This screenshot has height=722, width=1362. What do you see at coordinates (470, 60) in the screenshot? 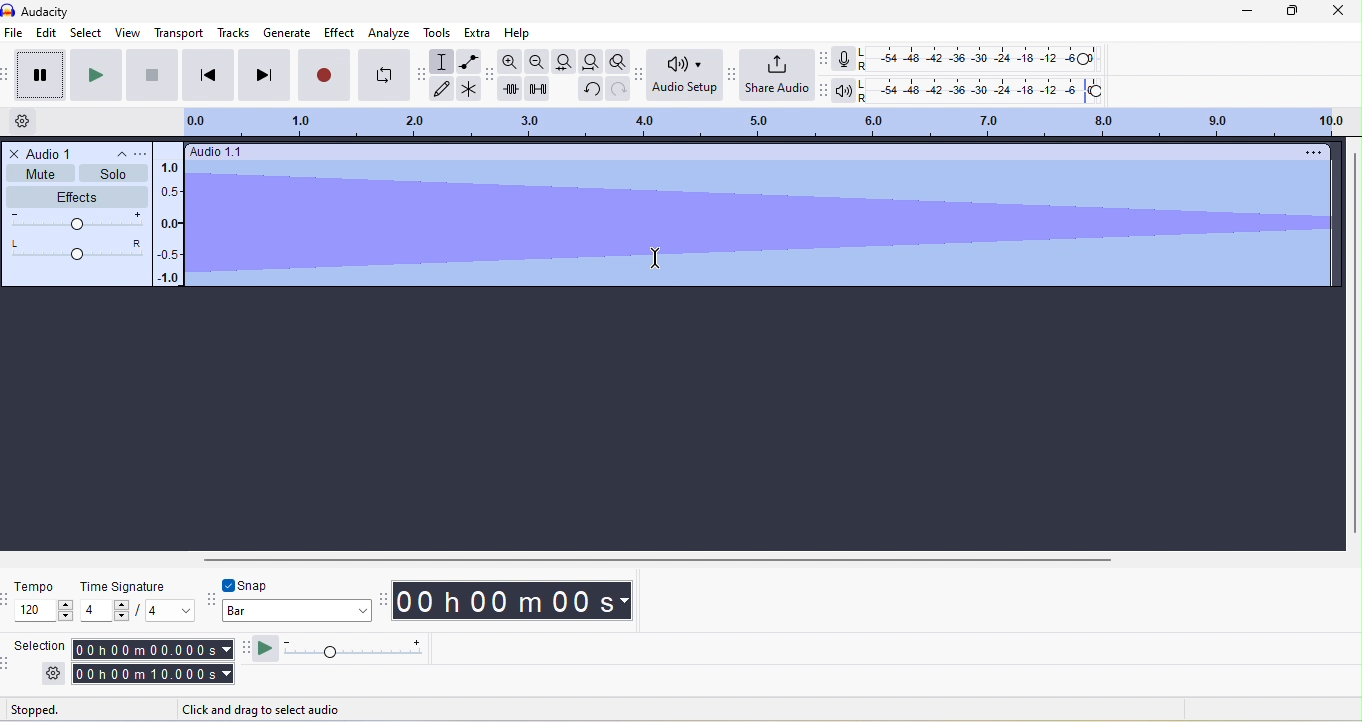
I see `envelope tool ` at bounding box center [470, 60].